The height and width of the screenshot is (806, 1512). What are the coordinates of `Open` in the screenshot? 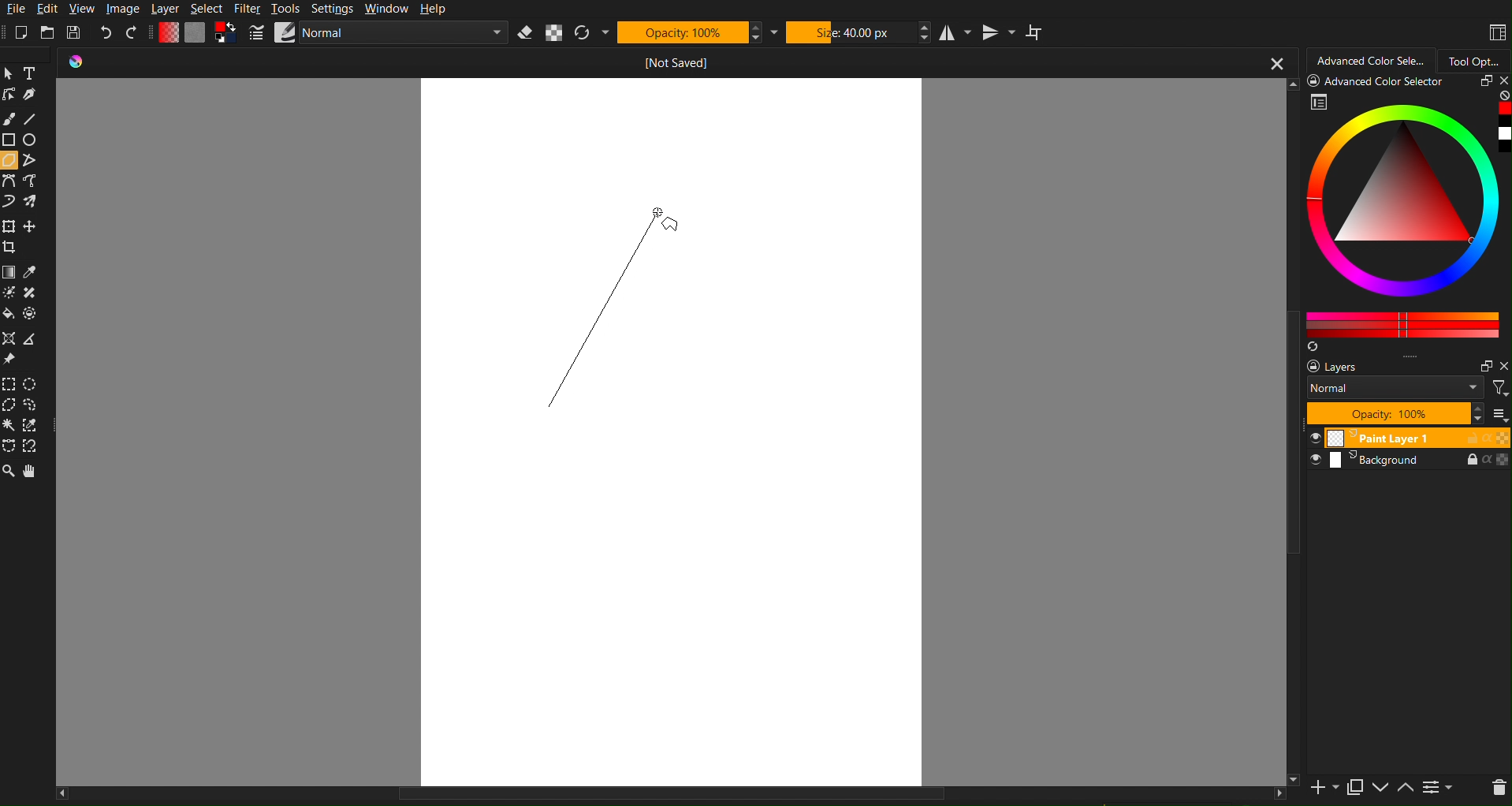 It's located at (48, 32).